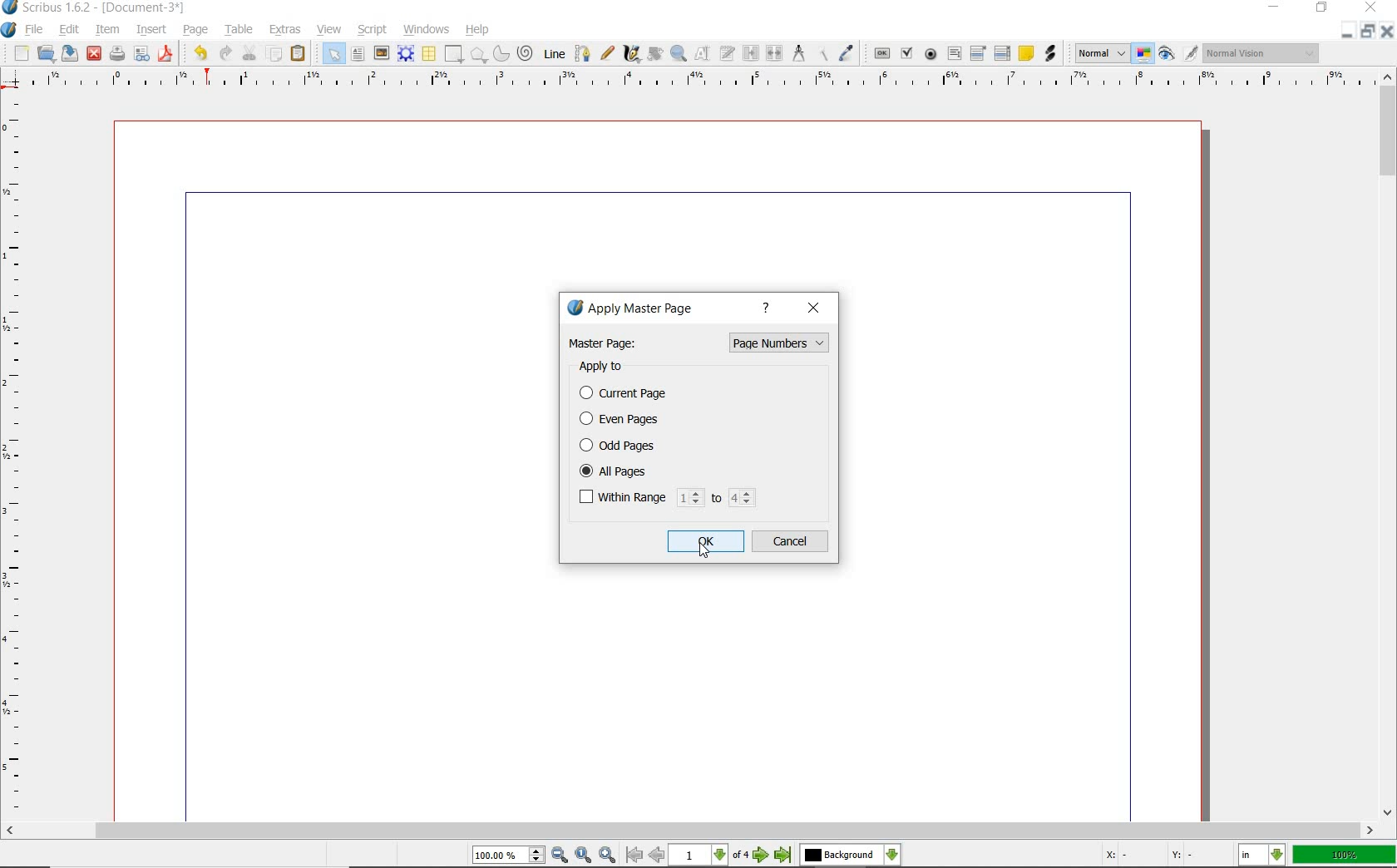 The width and height of the screenshot is (1397, 868). Describe the element at coordinates (101, 8) in the screenshot. I see `Scribus 1.62 - [Document-3*]` at that location.